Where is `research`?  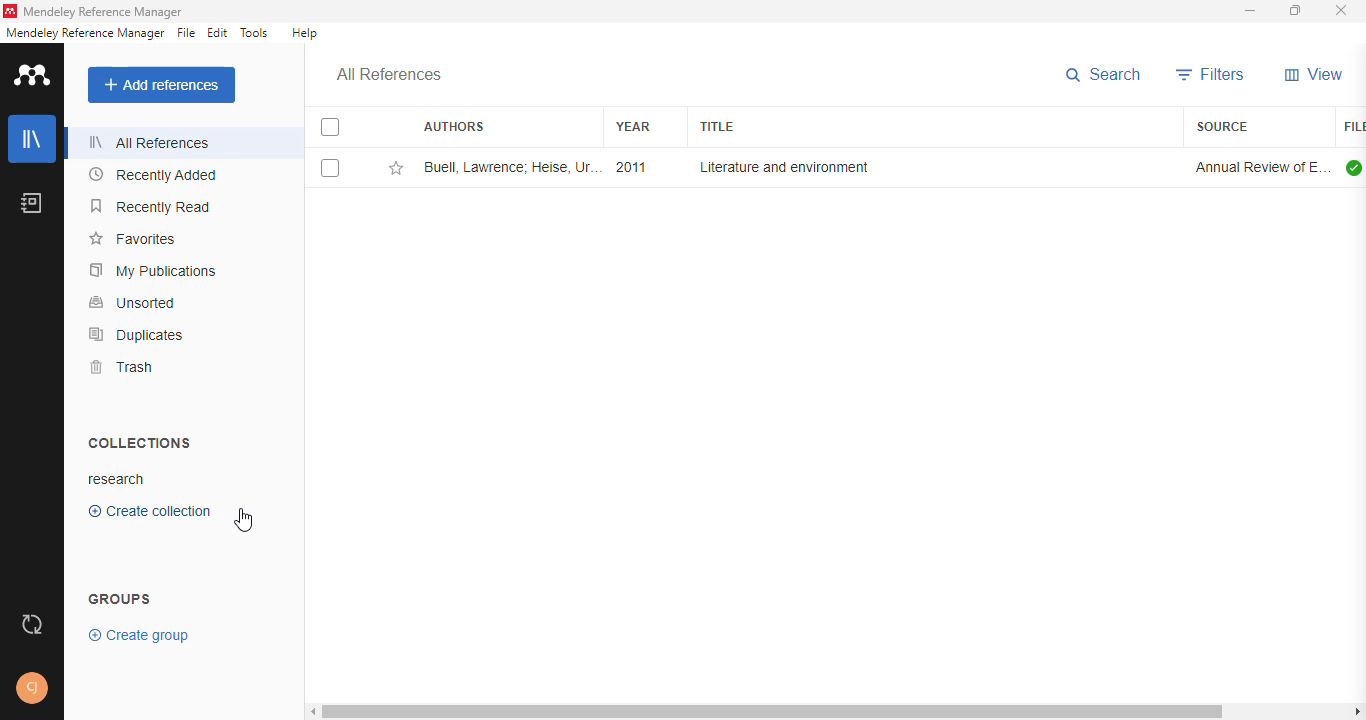 research is located at coordinates (117, 481).